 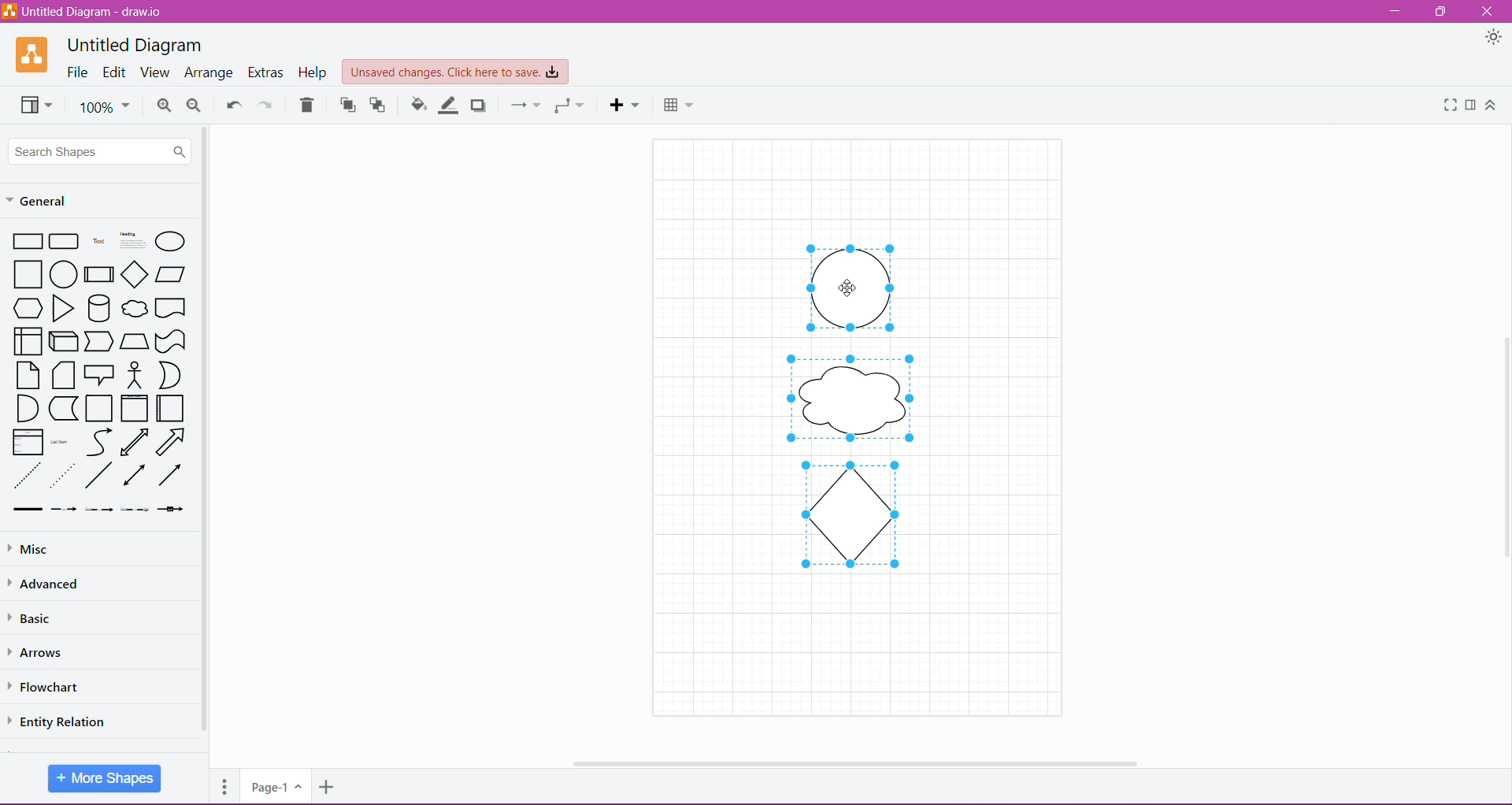 I want to click on Help, so click(x=314, y=72).